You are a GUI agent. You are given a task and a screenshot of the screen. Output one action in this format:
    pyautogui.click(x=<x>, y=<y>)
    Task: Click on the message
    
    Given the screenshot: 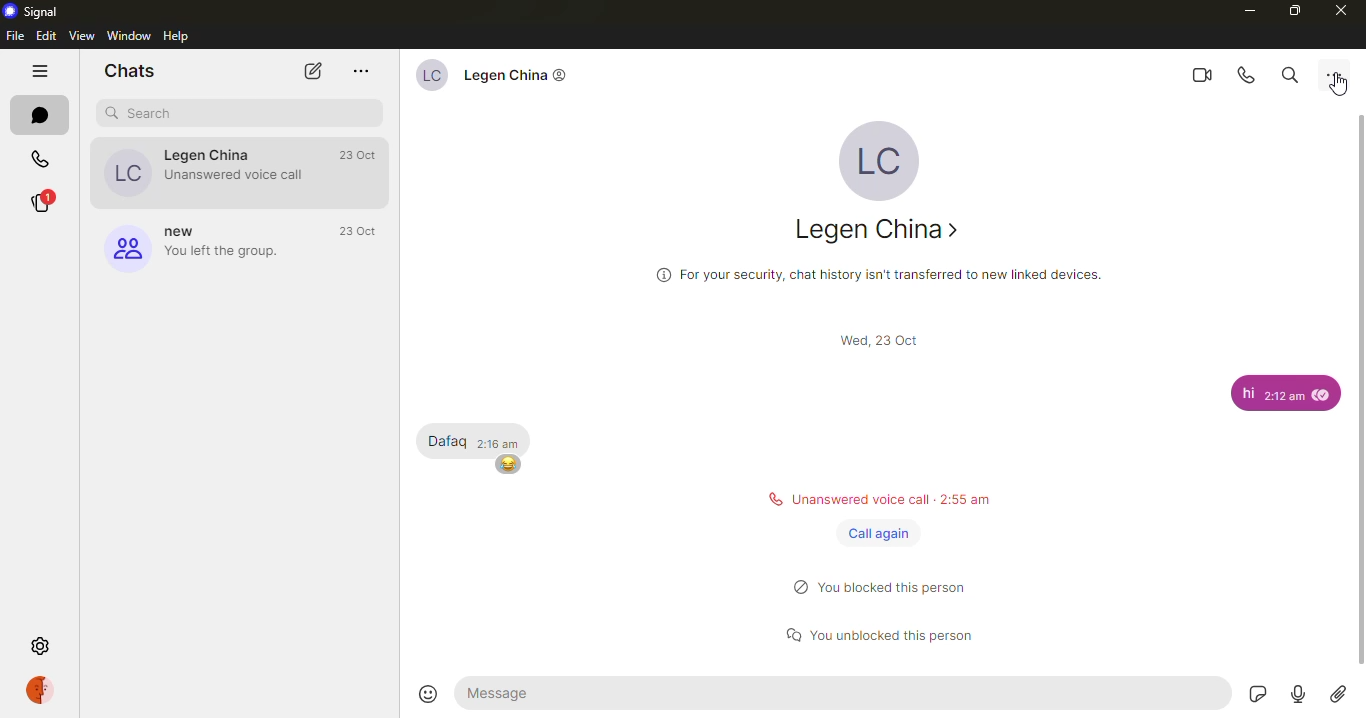 What is the action you would take?
    pyautogui.click(x=447, y=440)
    